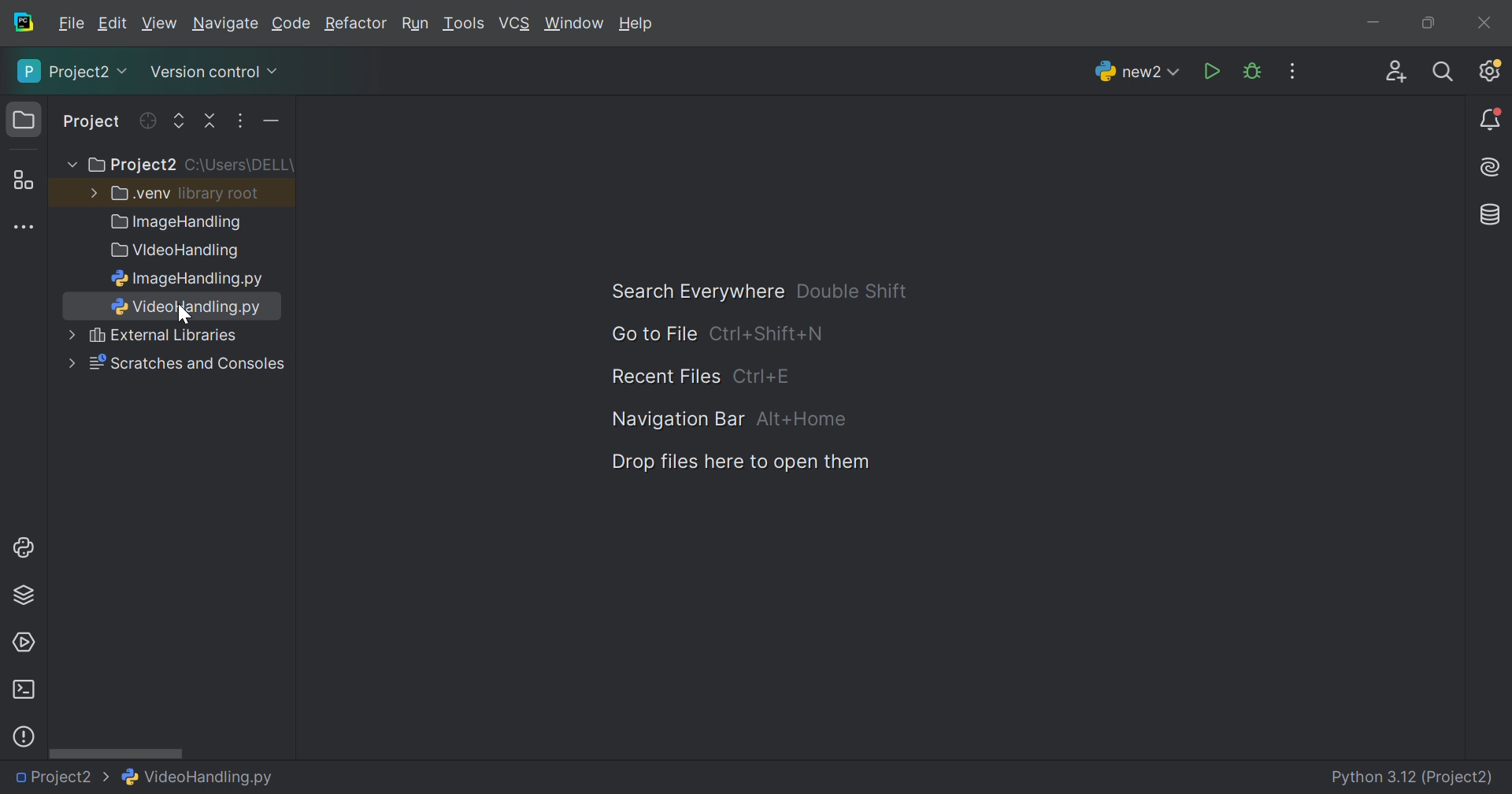  What do you see at coordinates (516, 24) in the screenshot?
I see `VCS` at bounding box center [516, 24].